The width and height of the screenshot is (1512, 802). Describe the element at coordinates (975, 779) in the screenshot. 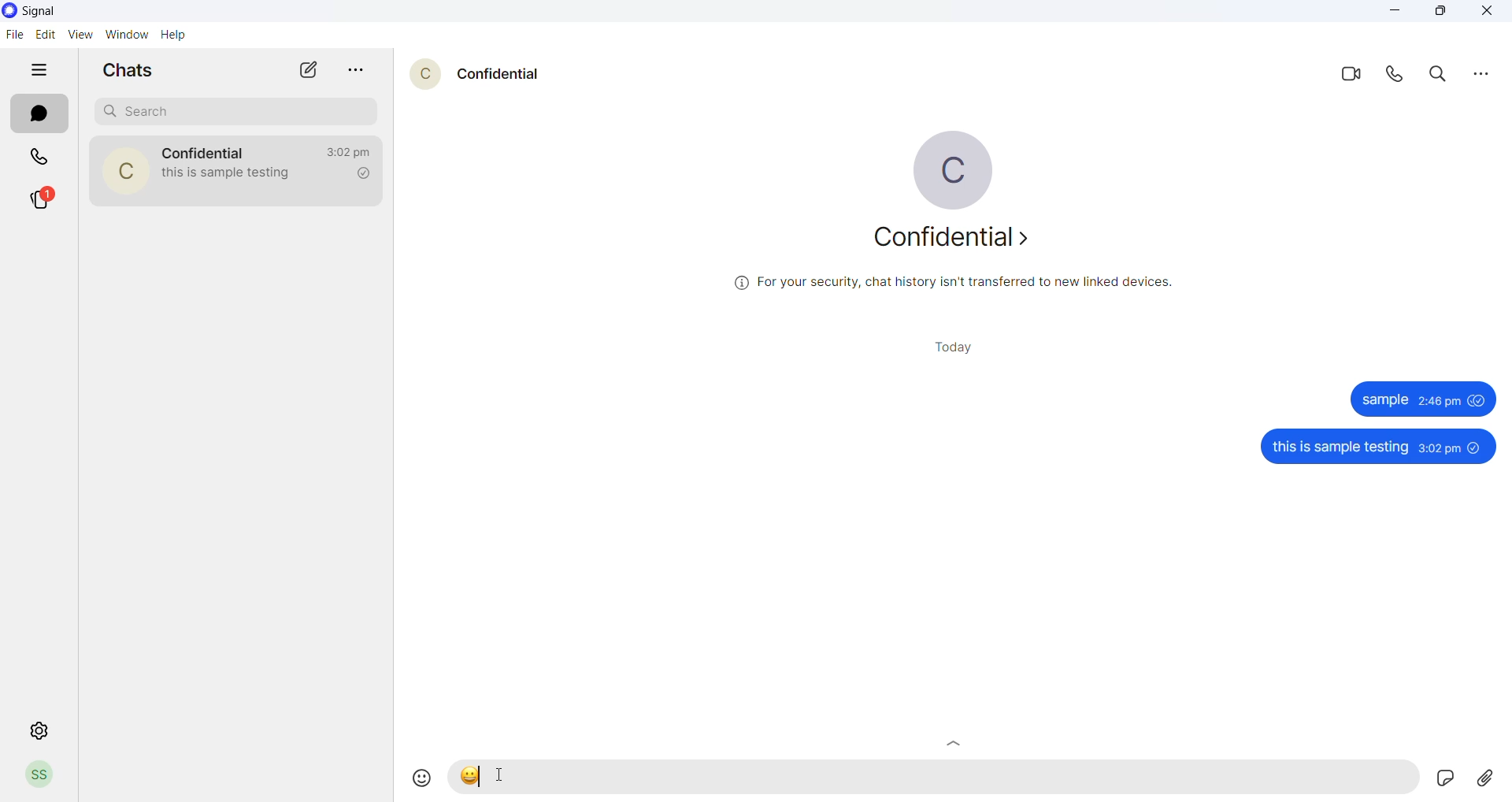

I see `message text area` at that location.